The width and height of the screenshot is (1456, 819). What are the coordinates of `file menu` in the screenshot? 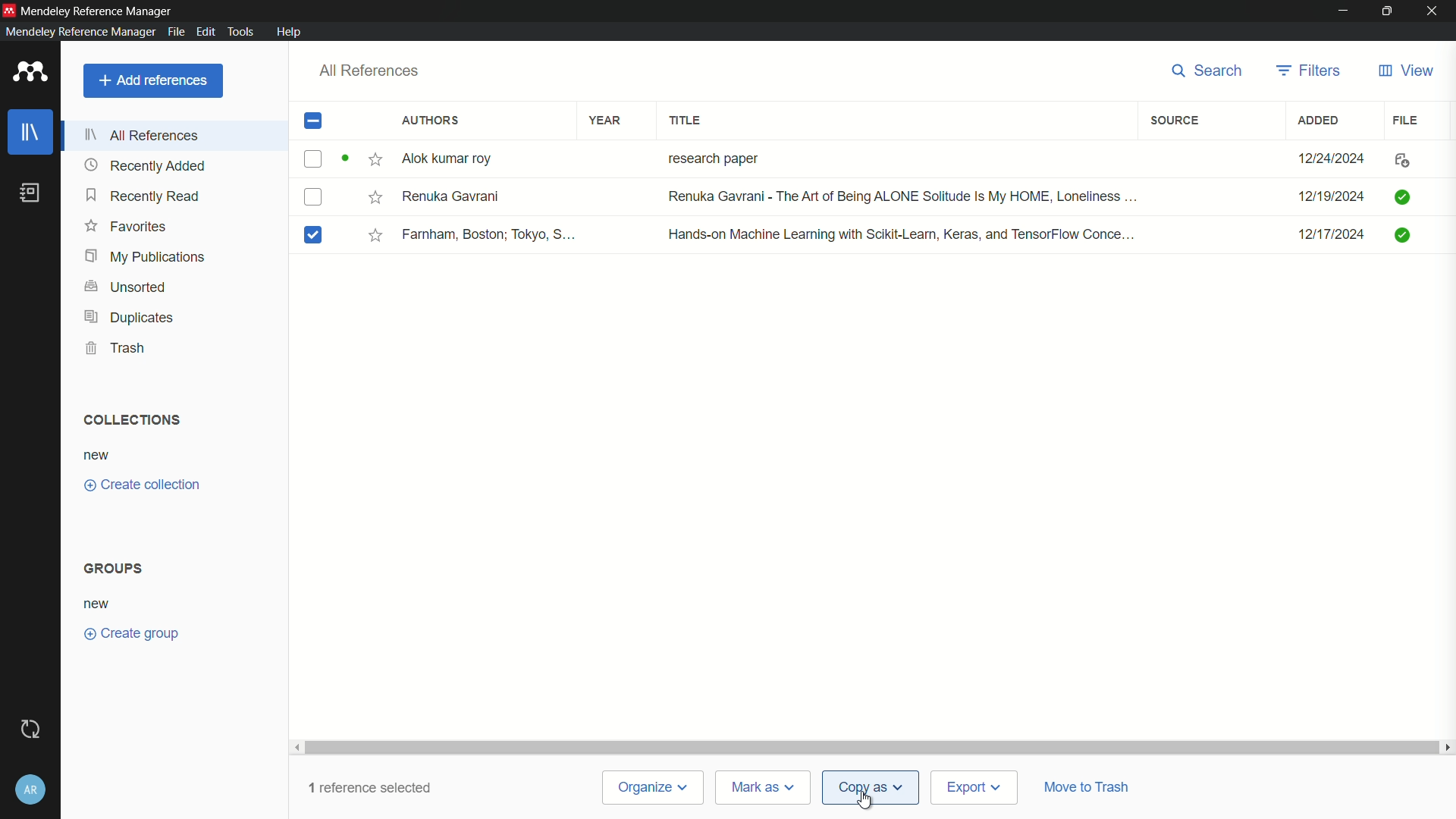 It's located at (176, 32).